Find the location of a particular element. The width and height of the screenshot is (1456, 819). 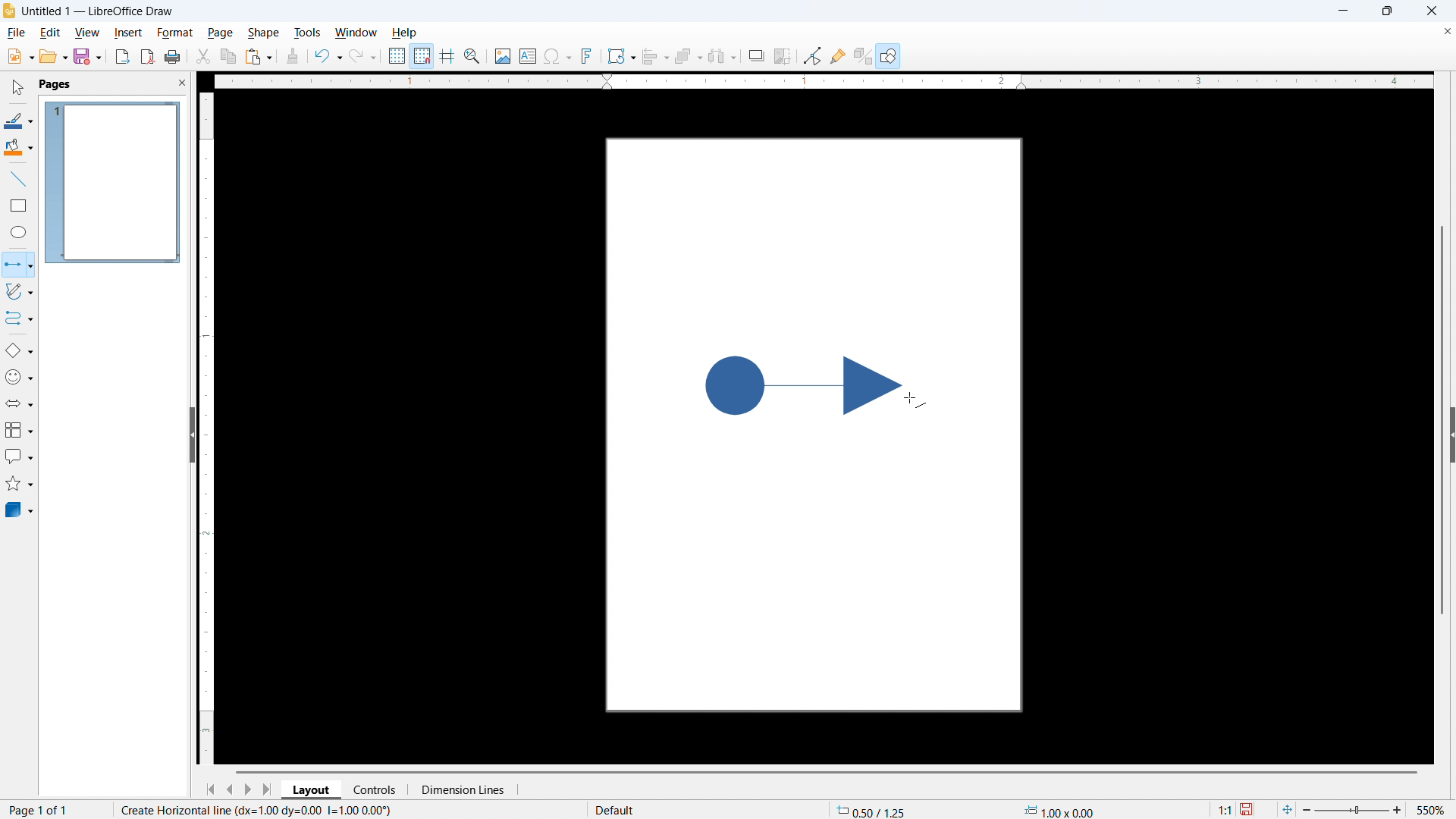

Page  is located at coordinates (219, 33).